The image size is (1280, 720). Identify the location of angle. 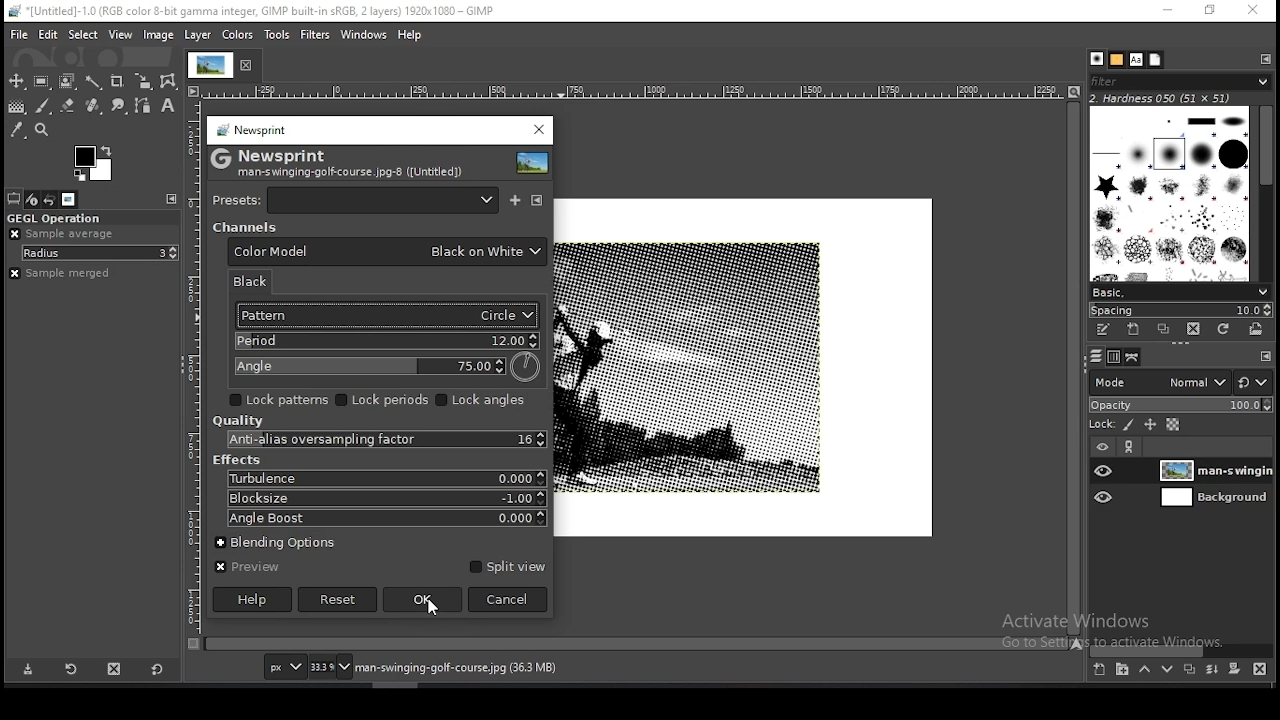
(387, 367).